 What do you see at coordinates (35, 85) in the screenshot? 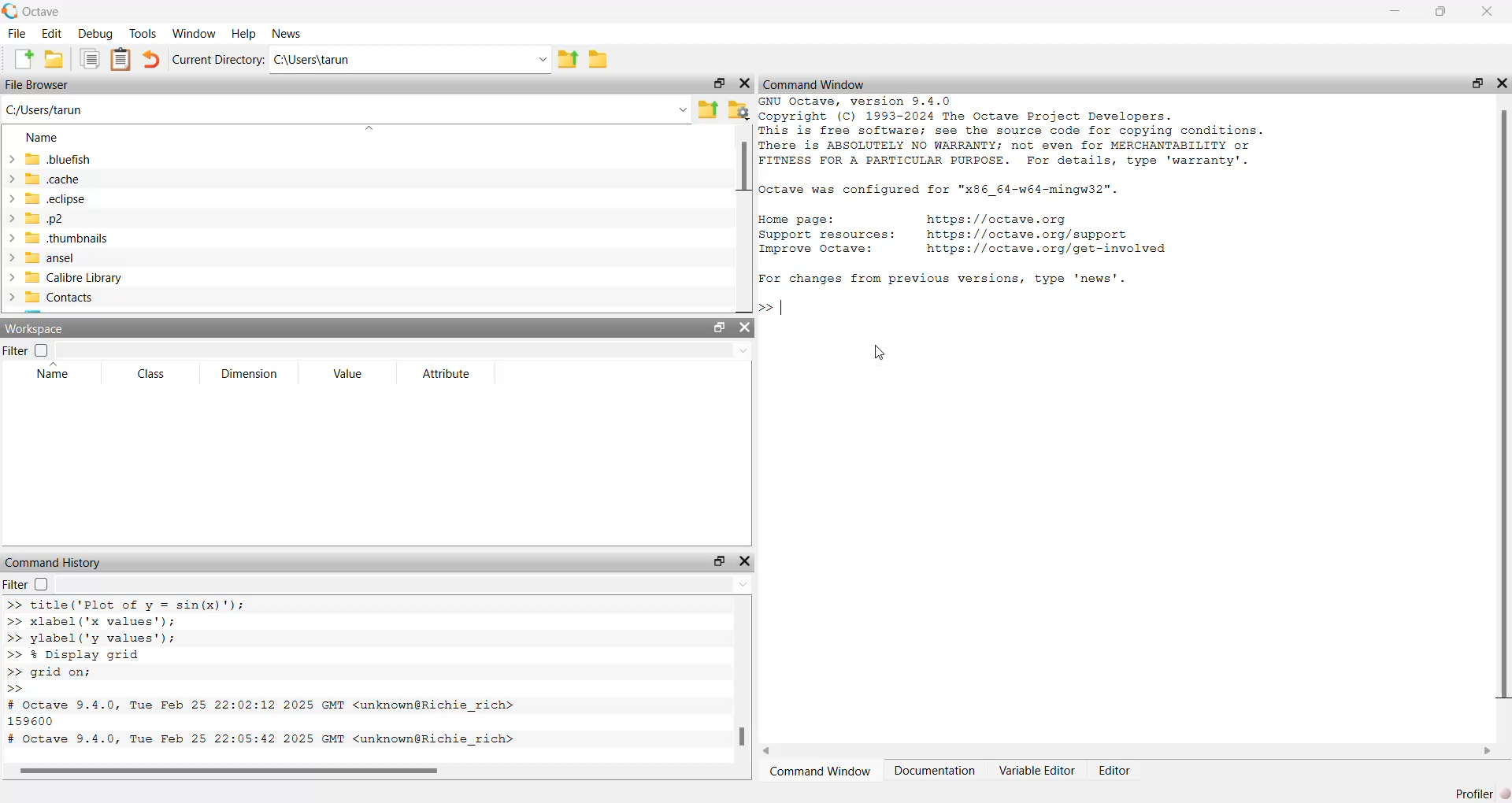
I see `File Browser` at bounding box center [35, 85].